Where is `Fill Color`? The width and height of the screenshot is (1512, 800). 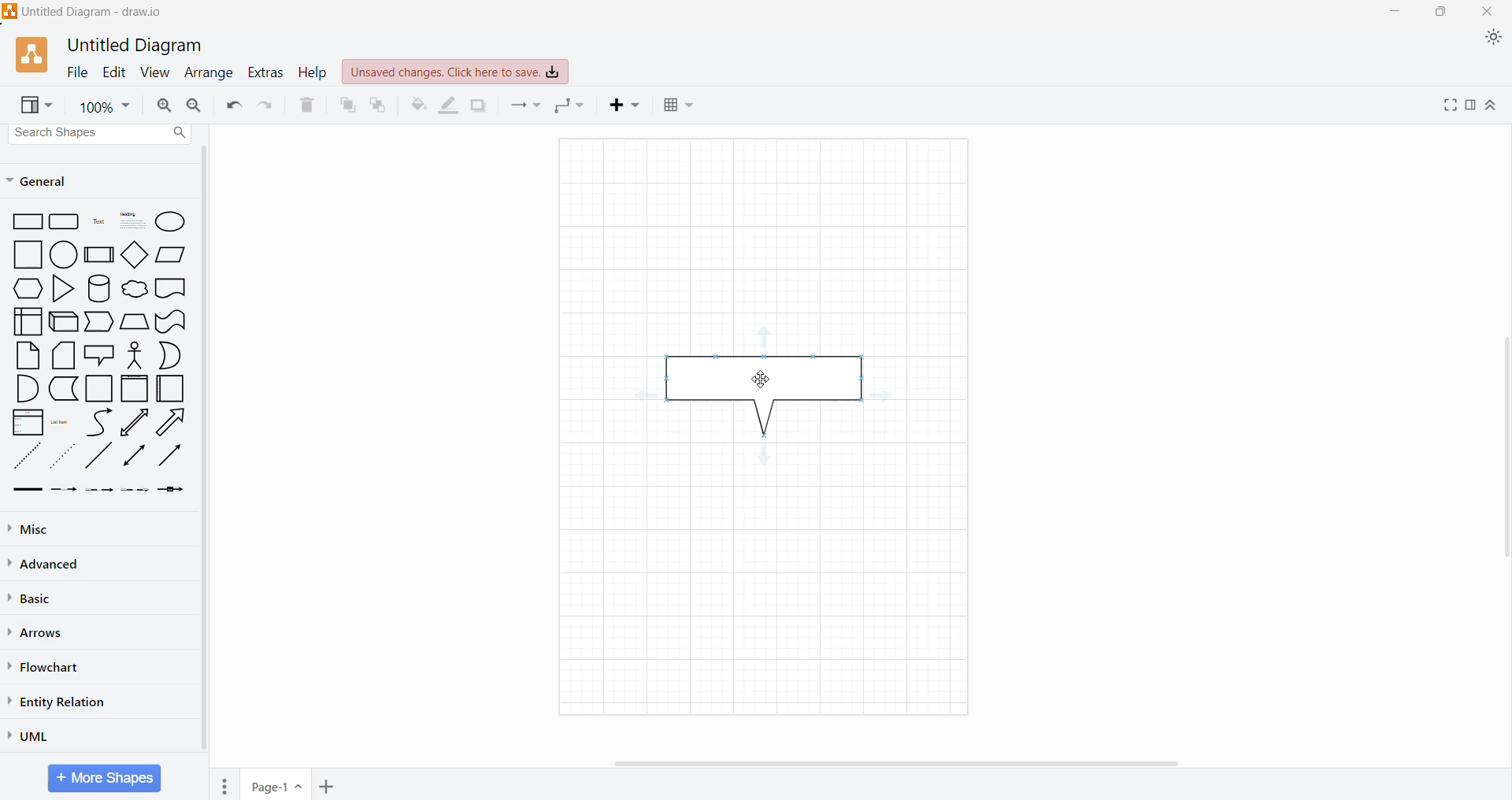 Fill Color is located at coordinates (417, 105).